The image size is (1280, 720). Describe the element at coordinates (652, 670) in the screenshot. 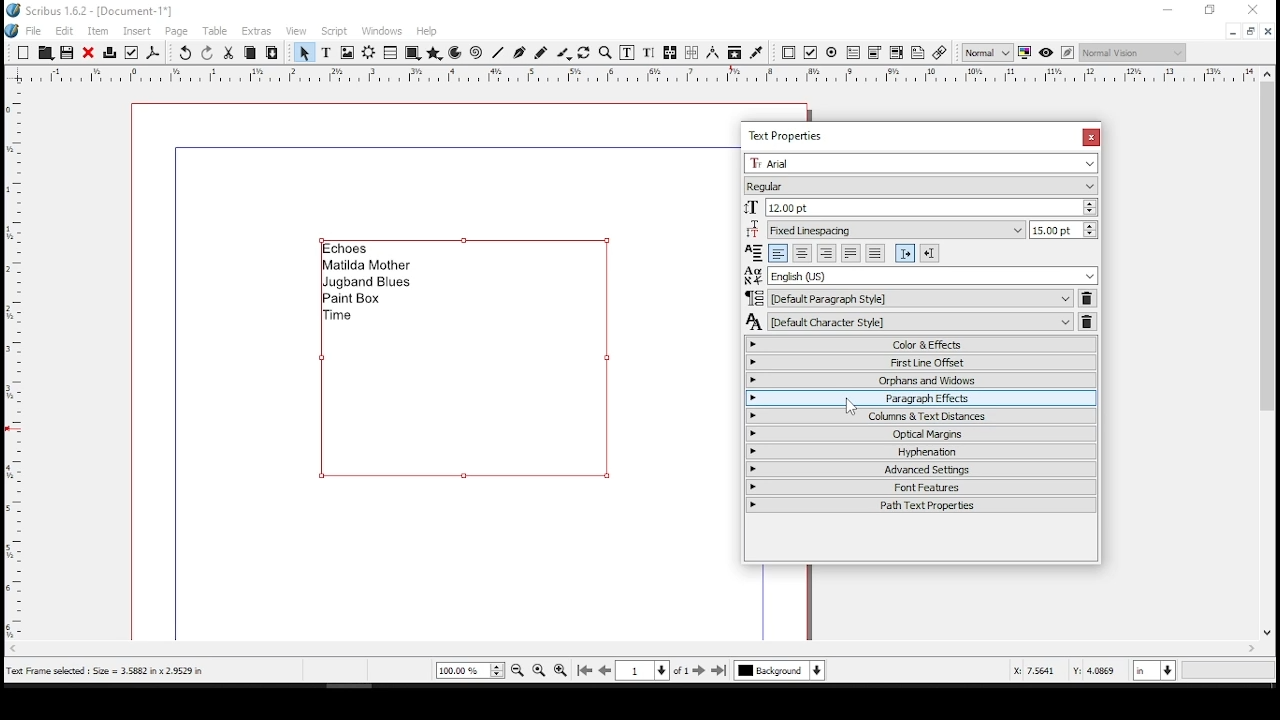

I see `go to page` at that location.